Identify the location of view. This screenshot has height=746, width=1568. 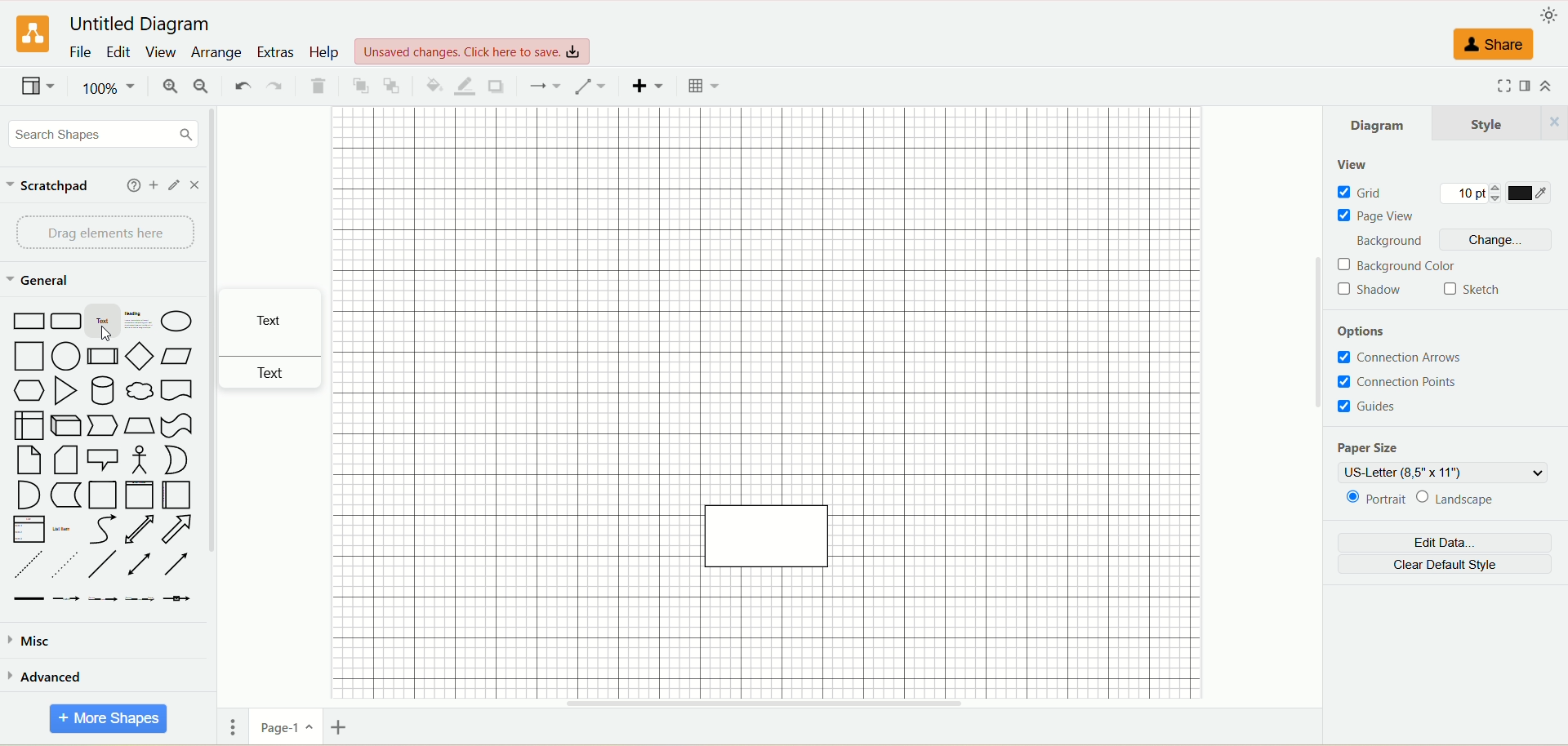
(163, 53).